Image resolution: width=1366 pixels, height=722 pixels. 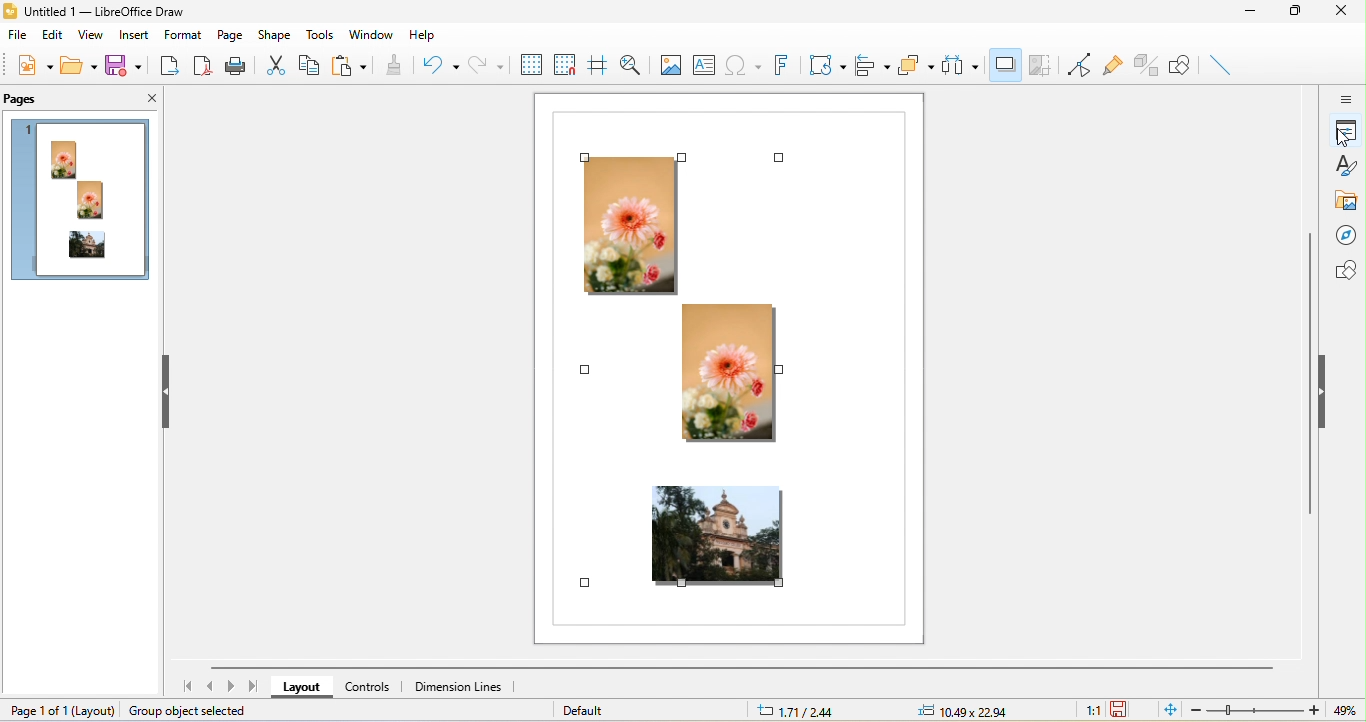 What do you see at coordinates (26, 99) in the screenshot?
I see `pages` at bounding box center [26, 99].